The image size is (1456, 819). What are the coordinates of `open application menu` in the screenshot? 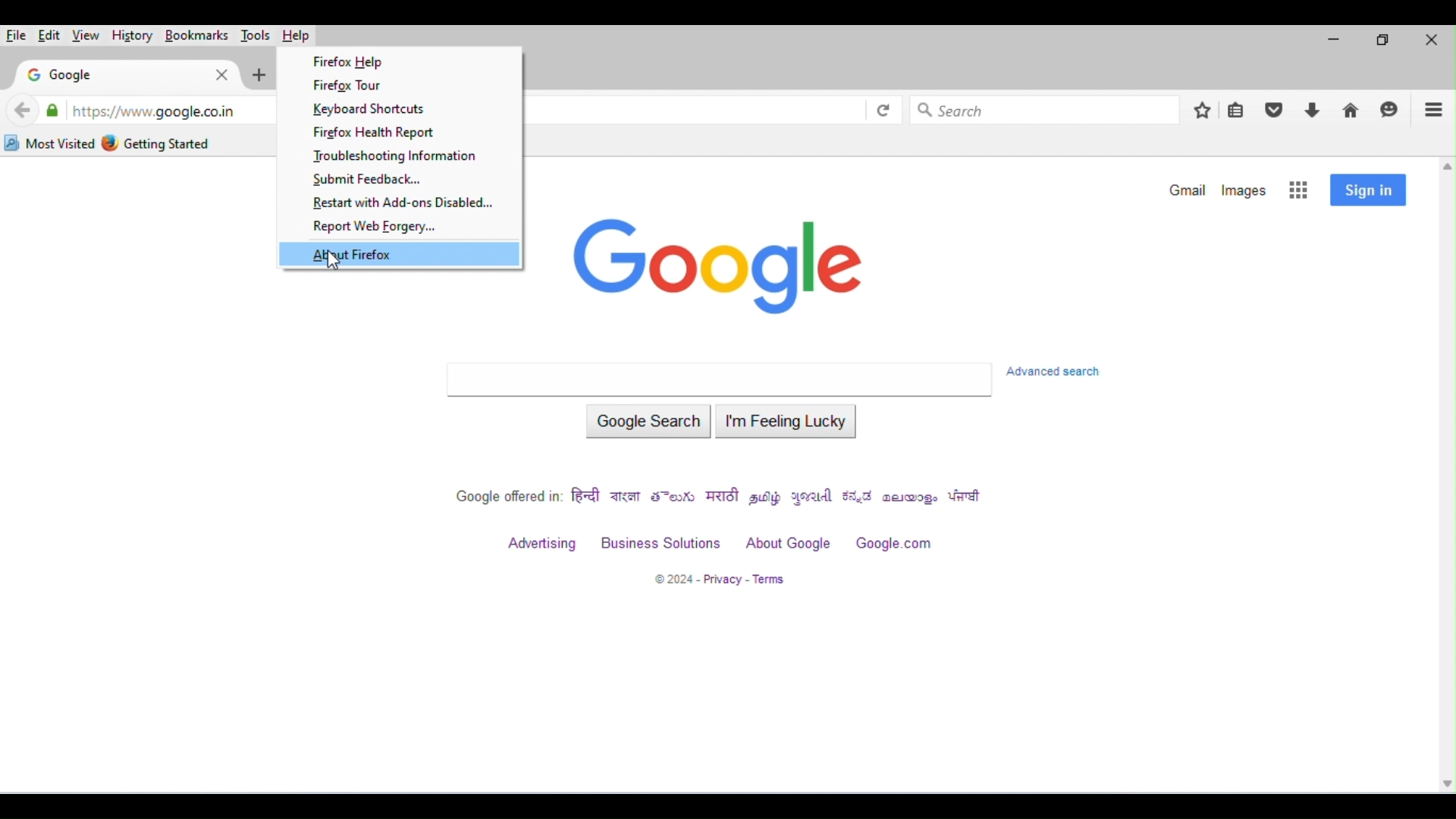 It's located at (1434, 110).